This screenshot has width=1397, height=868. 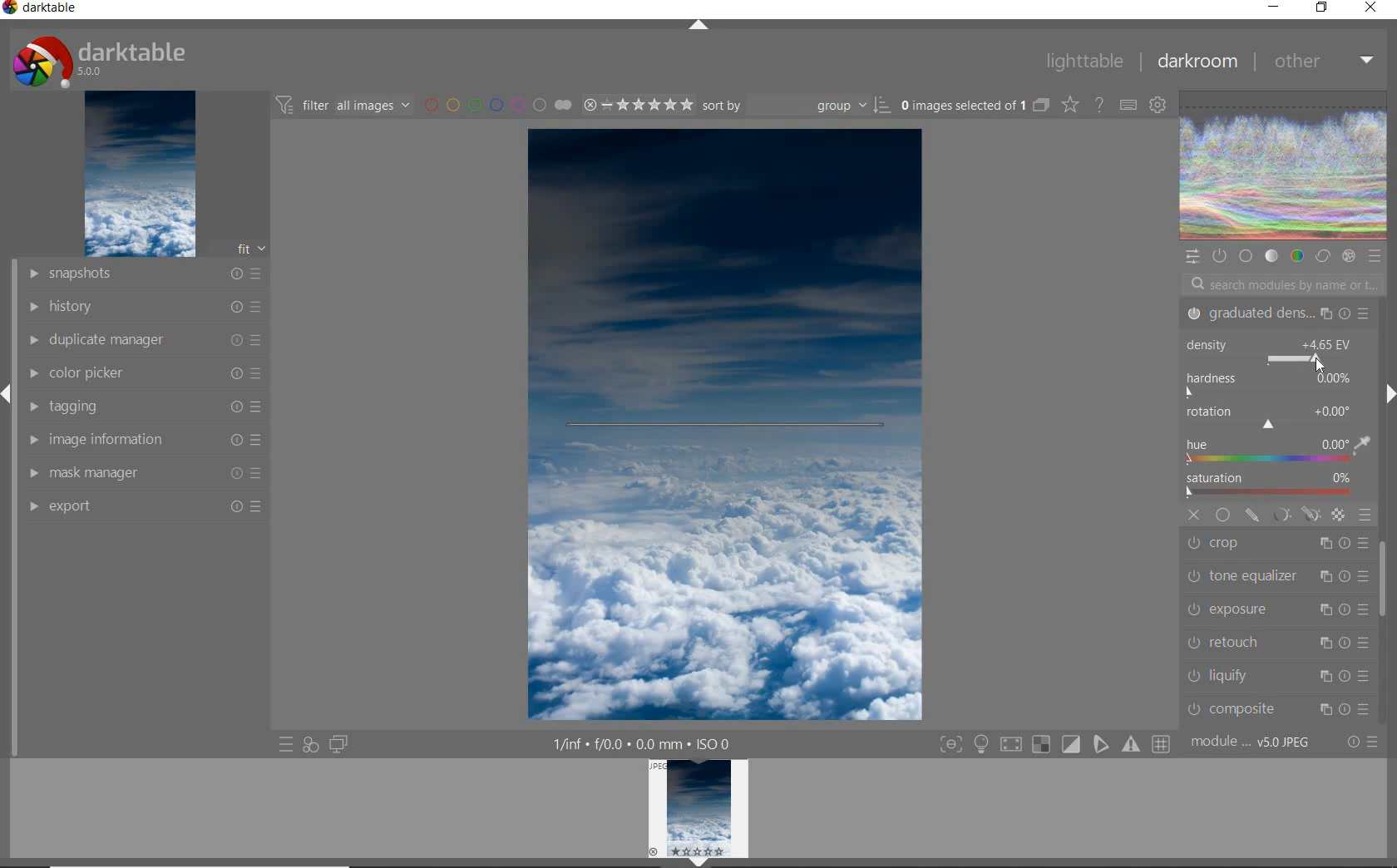 I want to click on darktable 5.0.0, so click(x=96, y=58).